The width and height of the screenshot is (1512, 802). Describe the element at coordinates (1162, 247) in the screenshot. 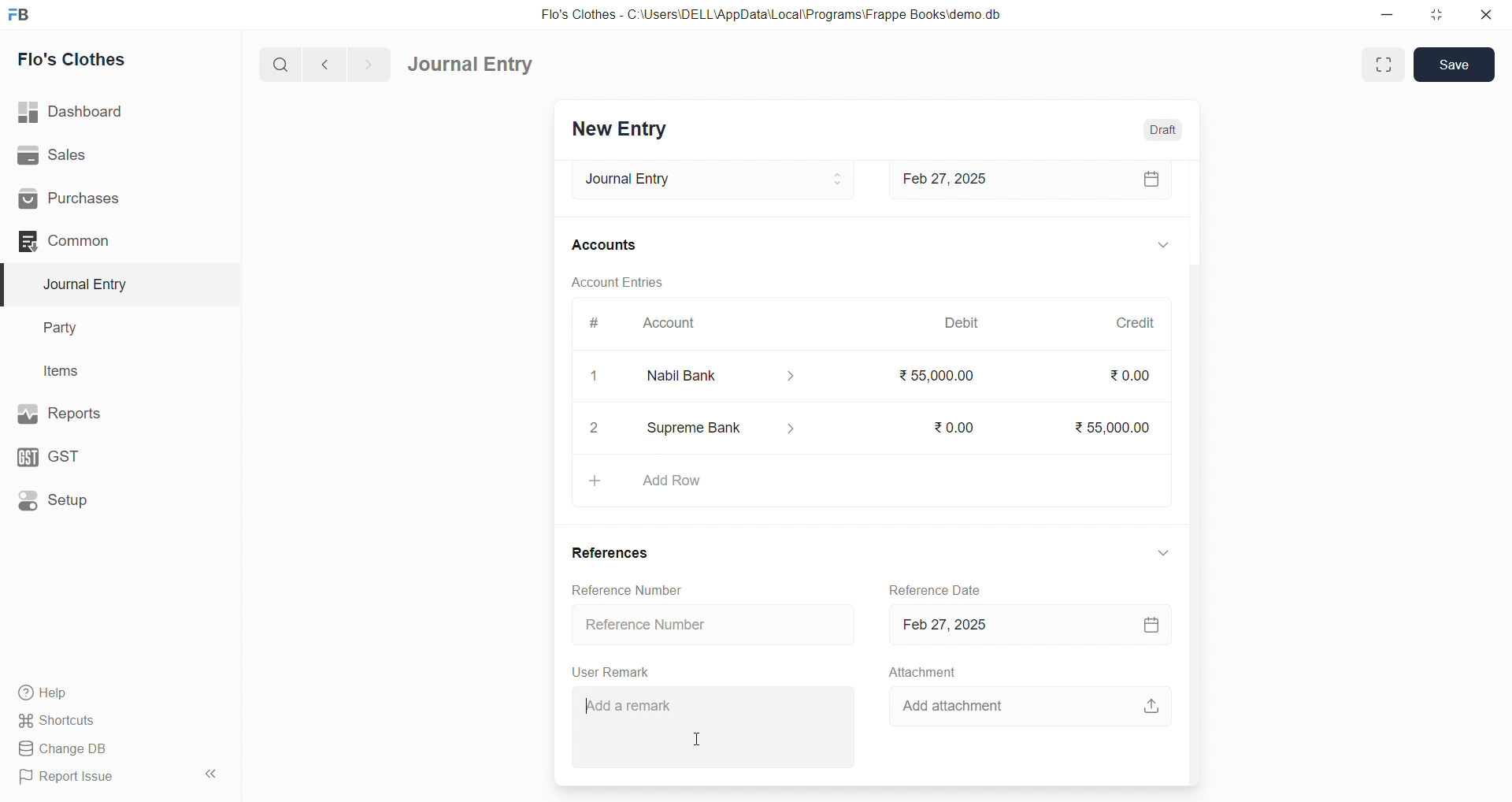

I see `EXPAND/COLLAPSE` at that location.